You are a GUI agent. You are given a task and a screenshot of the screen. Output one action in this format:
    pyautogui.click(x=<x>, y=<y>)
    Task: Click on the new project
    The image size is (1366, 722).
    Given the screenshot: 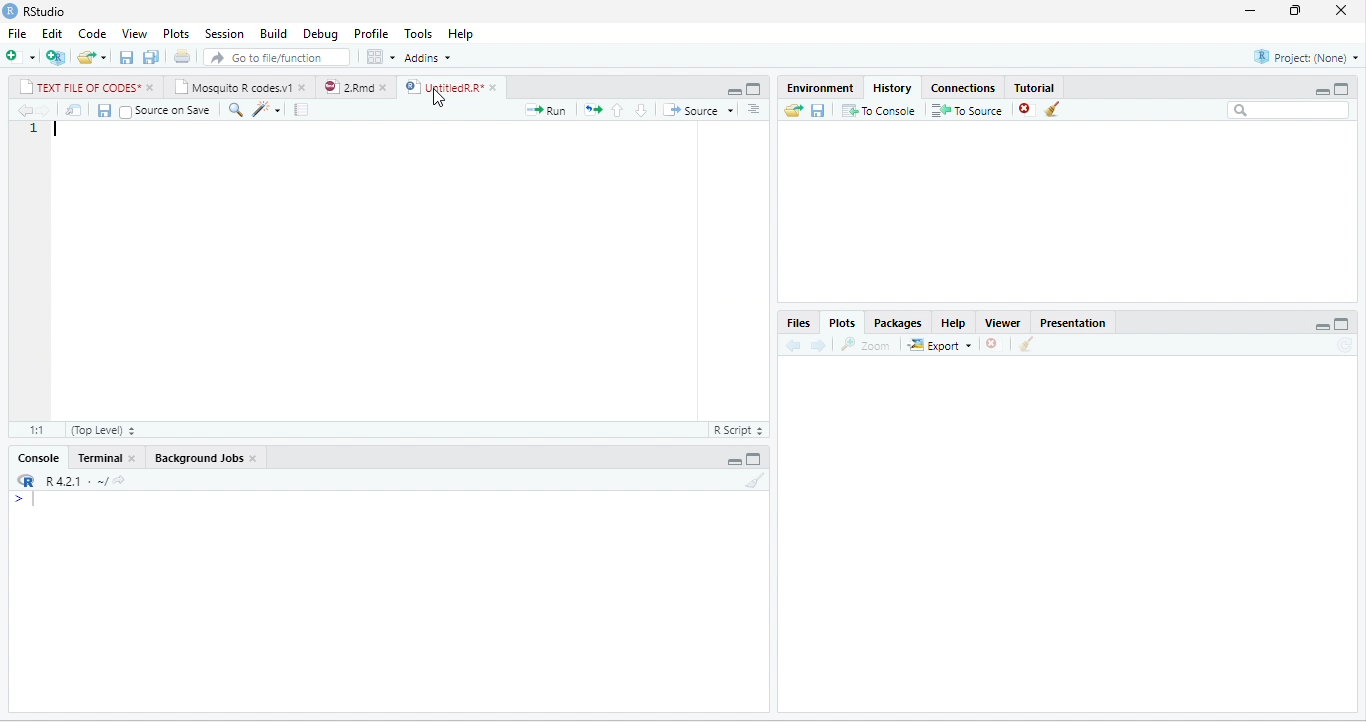 What is the action you would take?
    pyautogui.click(x=56, y=57)
    